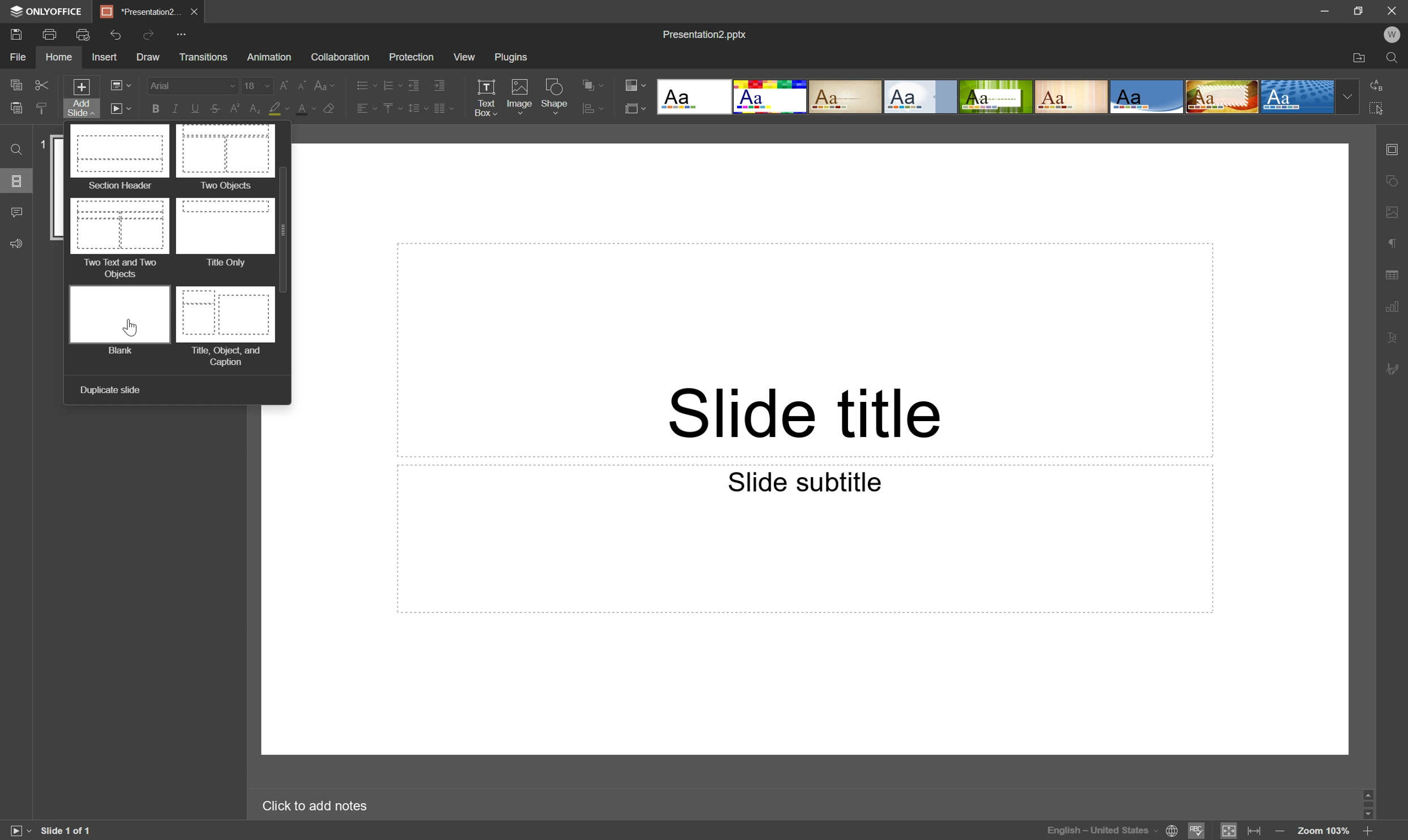 Image resolution: width=1408 pixels, height=840 pixels. I want to click on Vertical align, so click(389, 109).